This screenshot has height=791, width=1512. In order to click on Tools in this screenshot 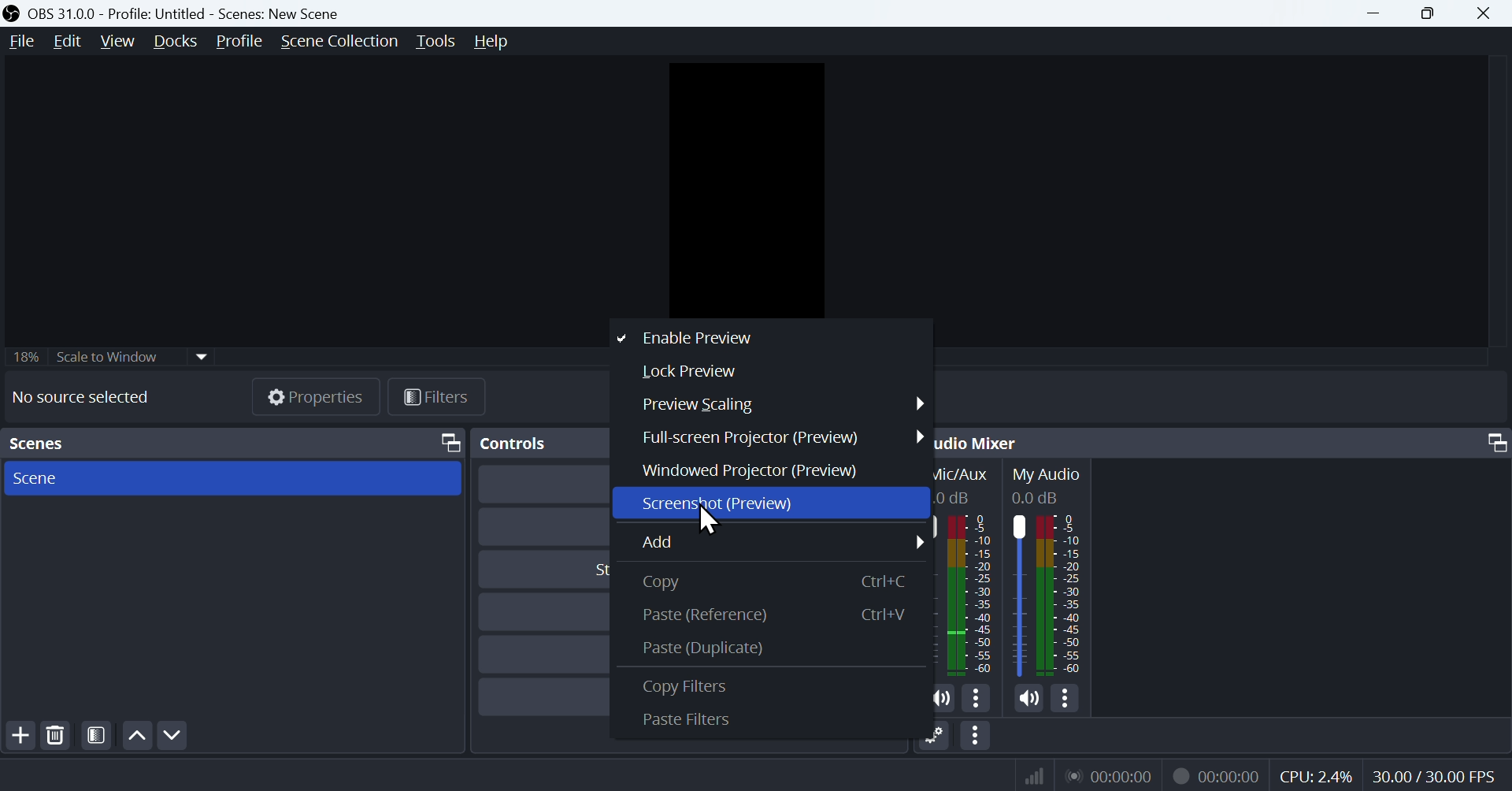, I will do `click(439, 44)`.